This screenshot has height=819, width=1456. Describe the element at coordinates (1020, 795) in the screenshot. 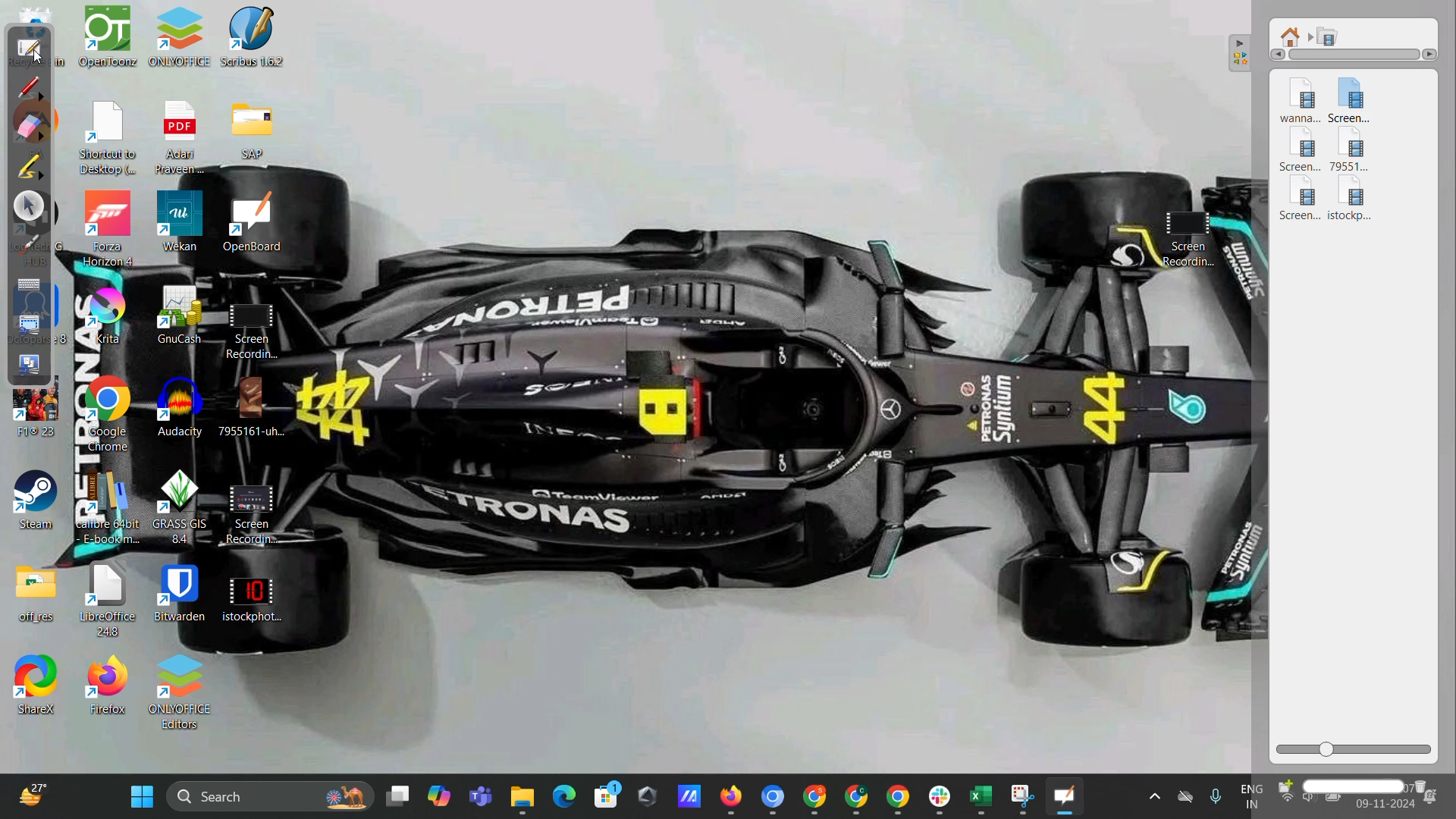

I see `minimized snipping tool` at that location.